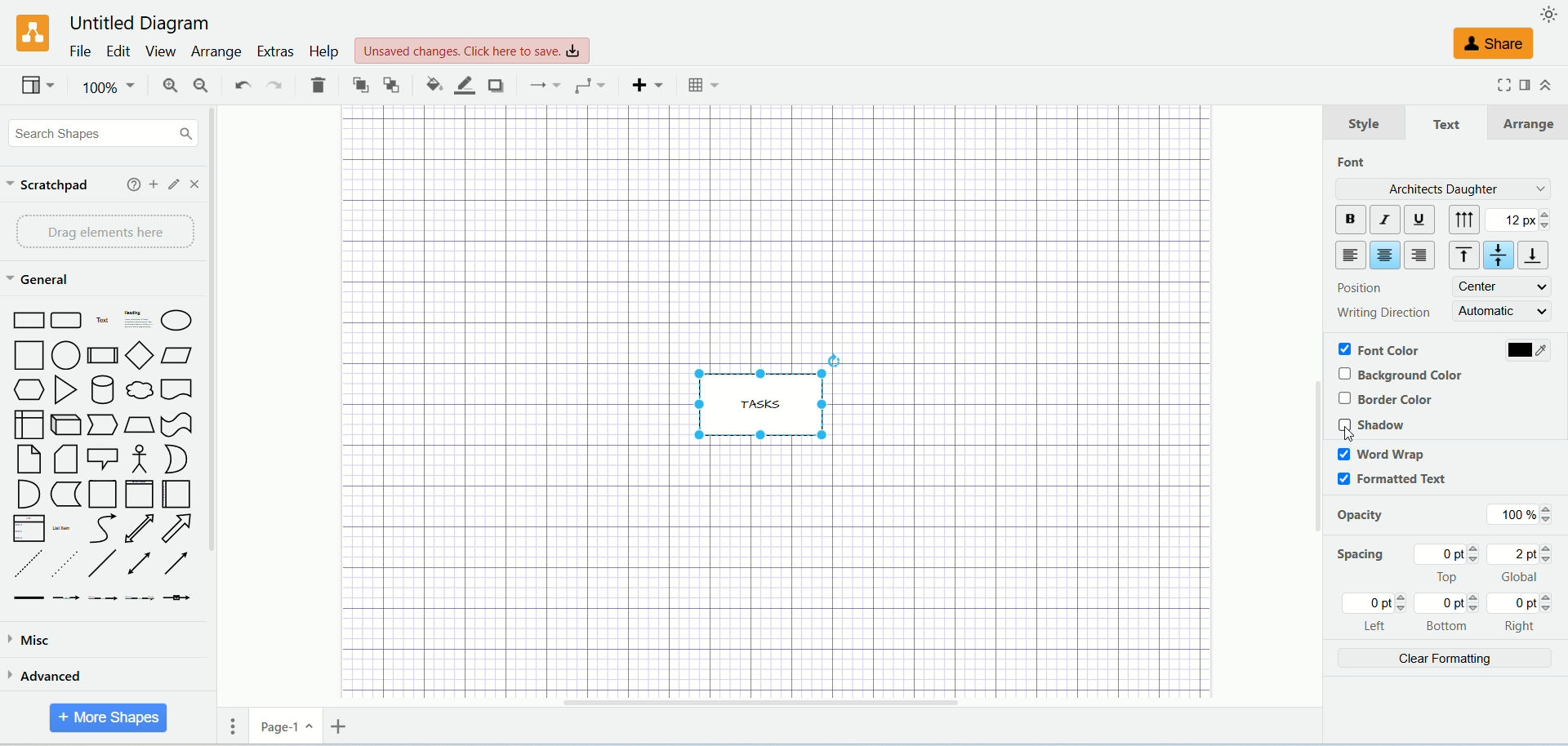  I want to click on Cylinder, so click(101, 389).